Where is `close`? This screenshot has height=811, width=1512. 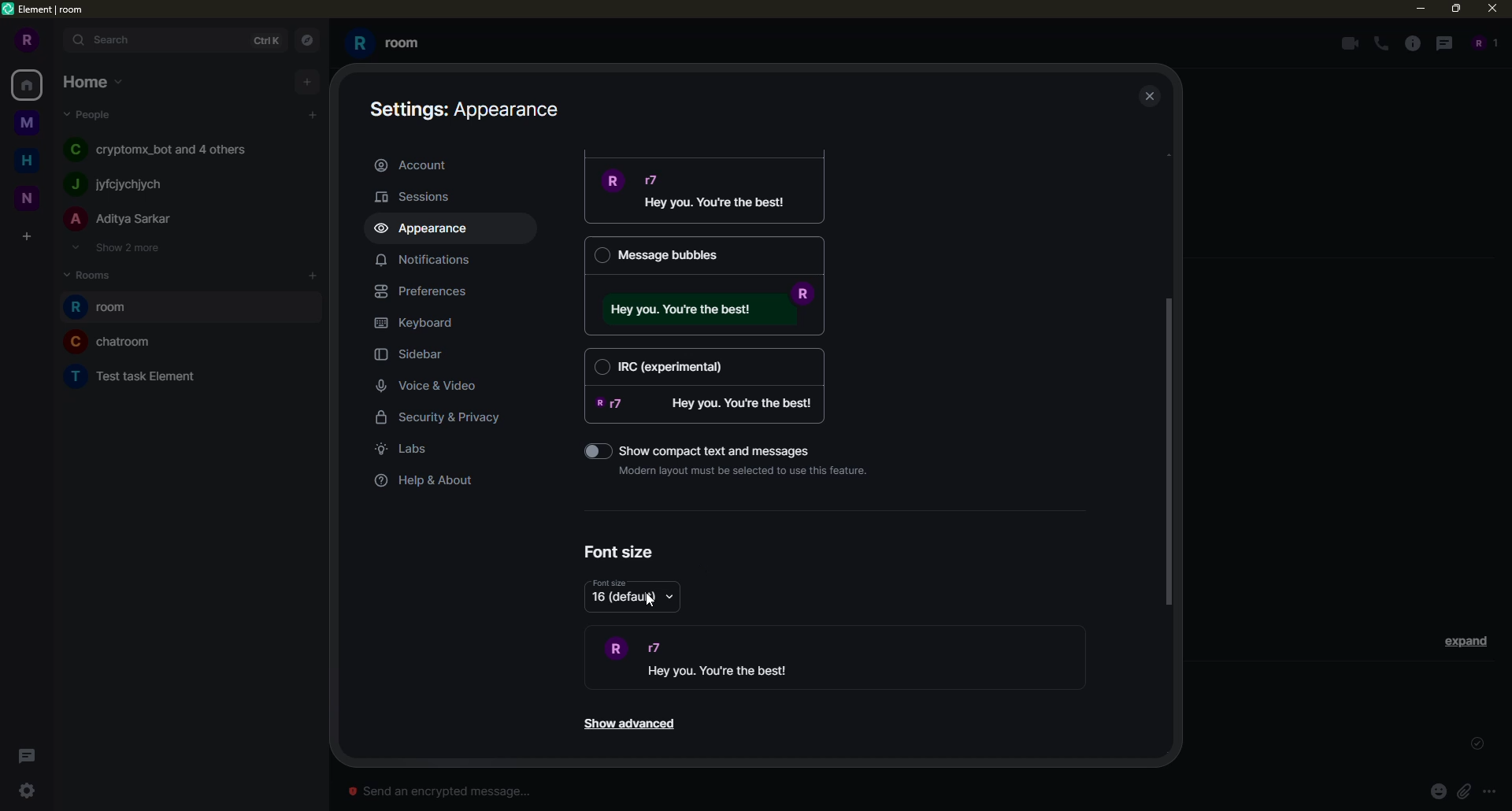
close is located at coordinates (1495, 8).